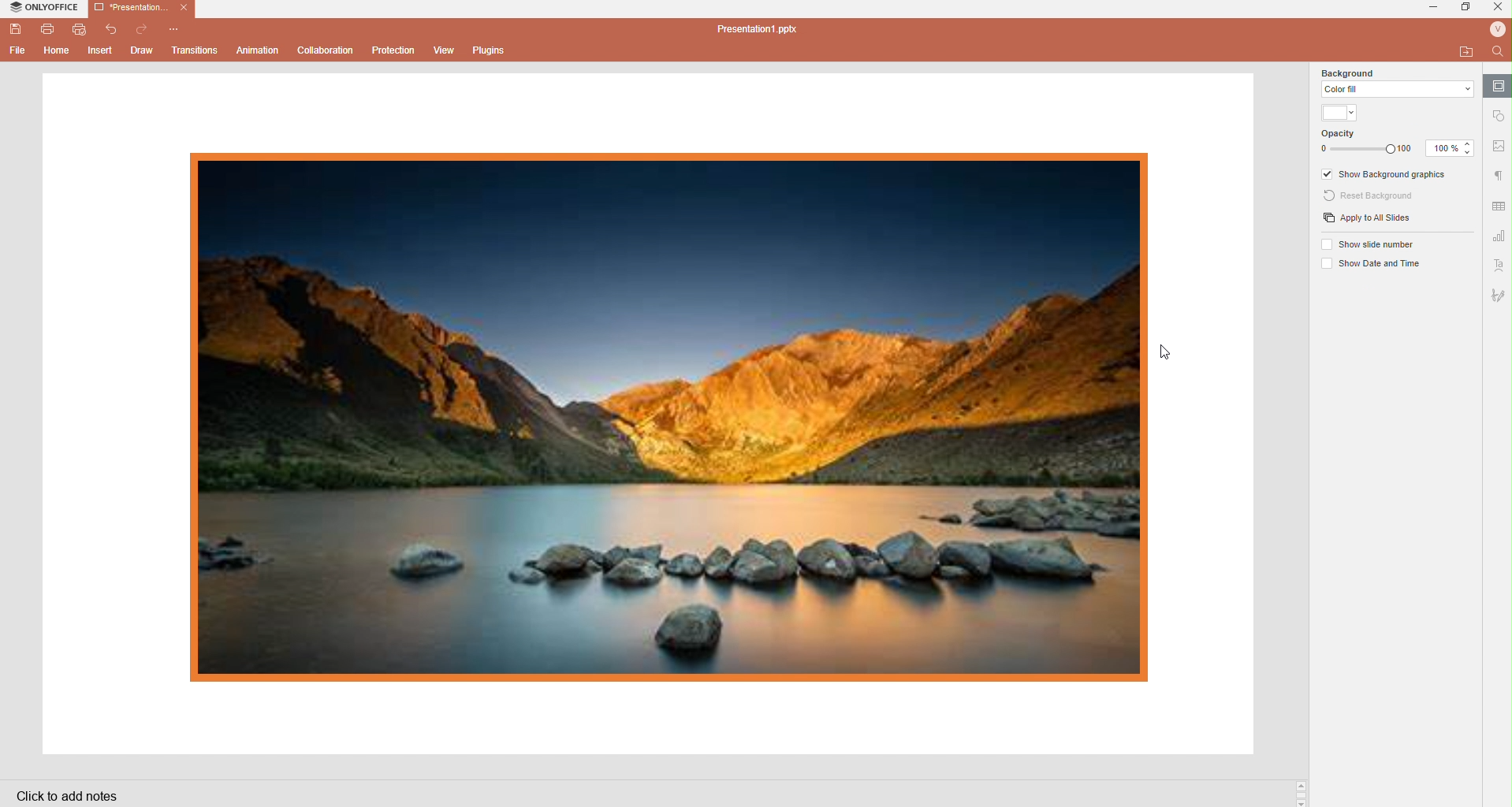 The height and width of the screenshot is (807, 1512). Describe the element at coordinates (1465, 51) in the screenshot. I see `open file location` at that location.